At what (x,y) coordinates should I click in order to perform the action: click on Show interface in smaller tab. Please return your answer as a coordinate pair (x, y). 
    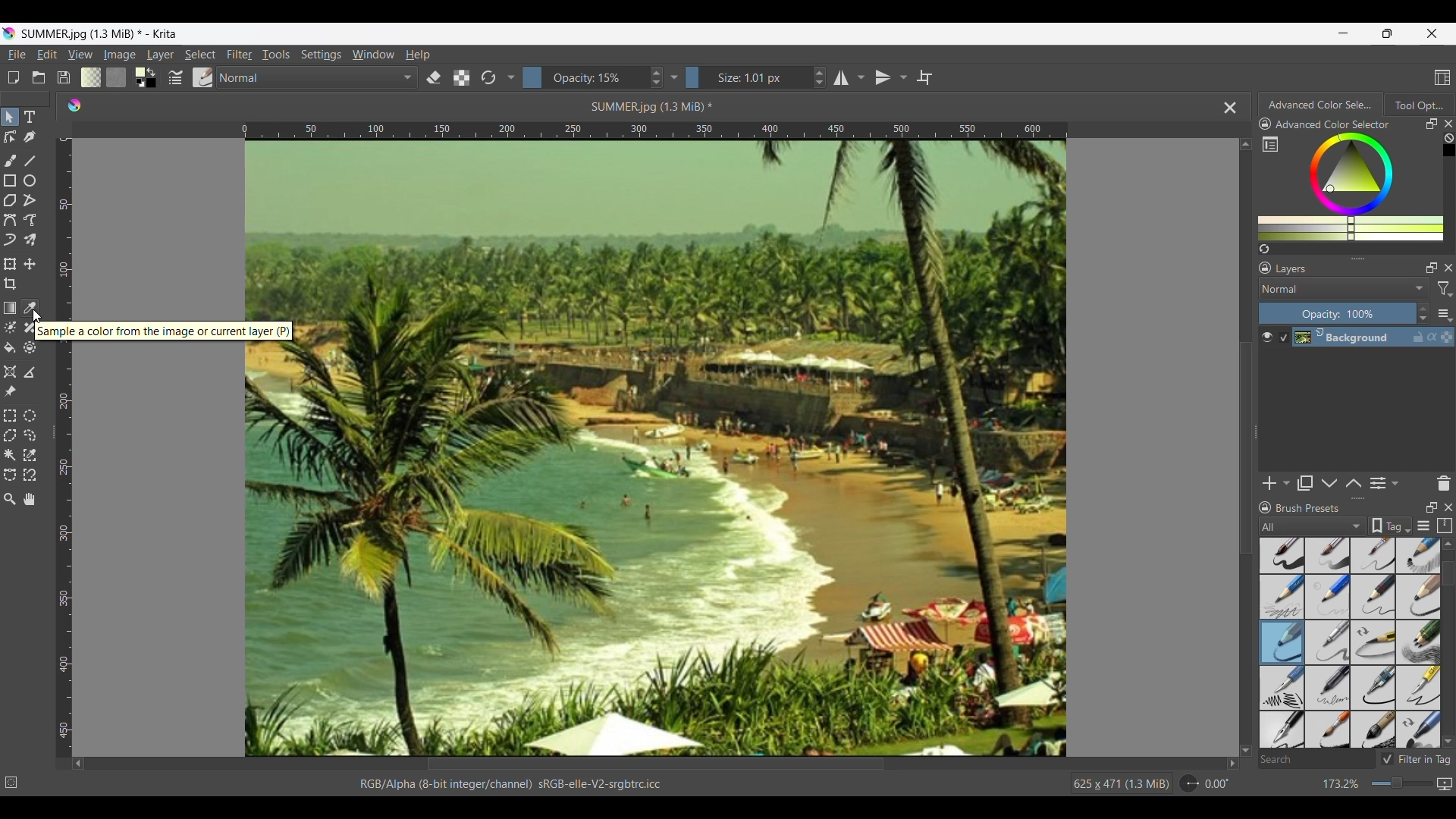
    Looking at the image, I should click on (1388, 33).